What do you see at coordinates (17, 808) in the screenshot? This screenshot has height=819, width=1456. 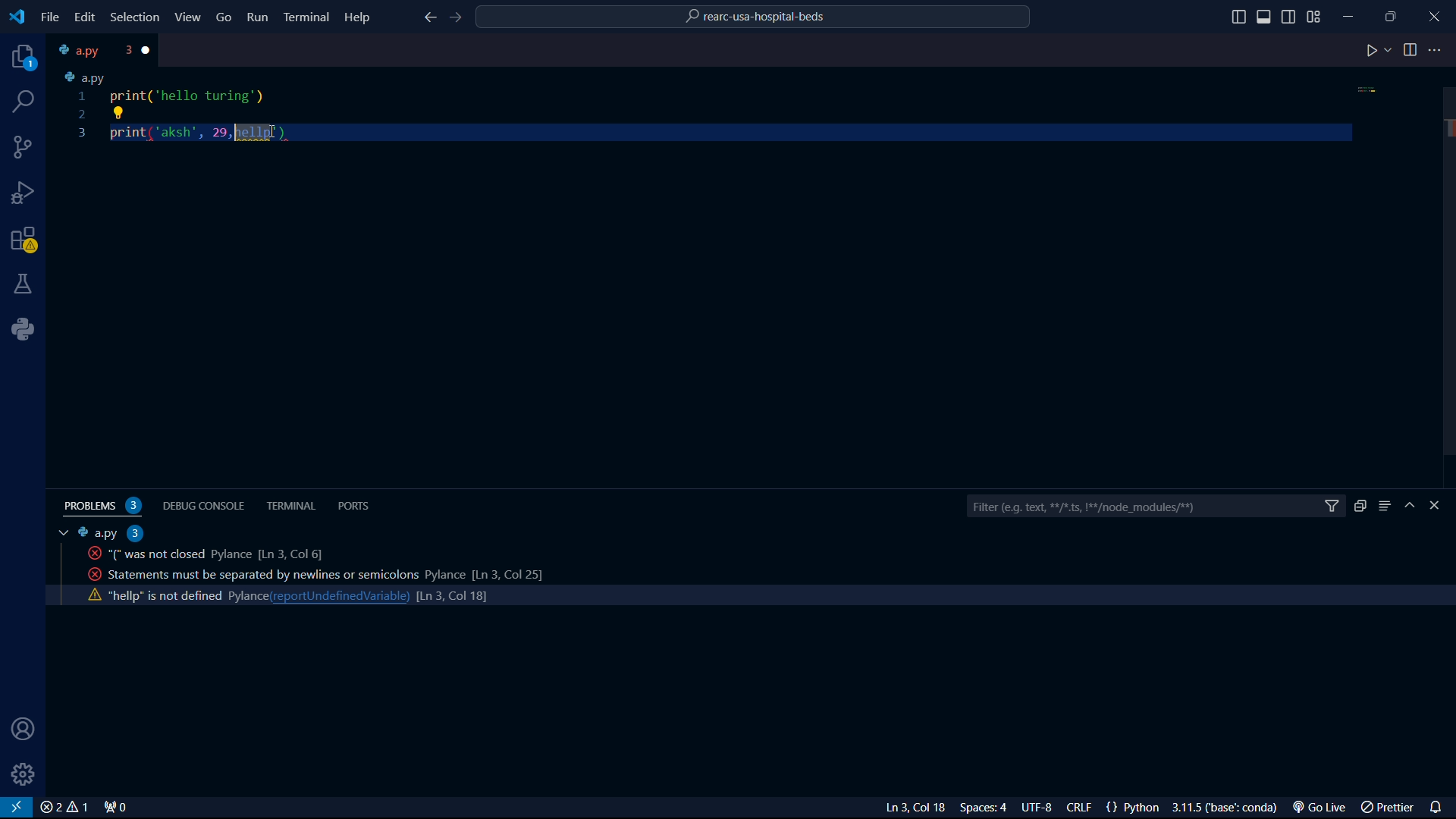 I see `VS` at bounding box center [17, 808].